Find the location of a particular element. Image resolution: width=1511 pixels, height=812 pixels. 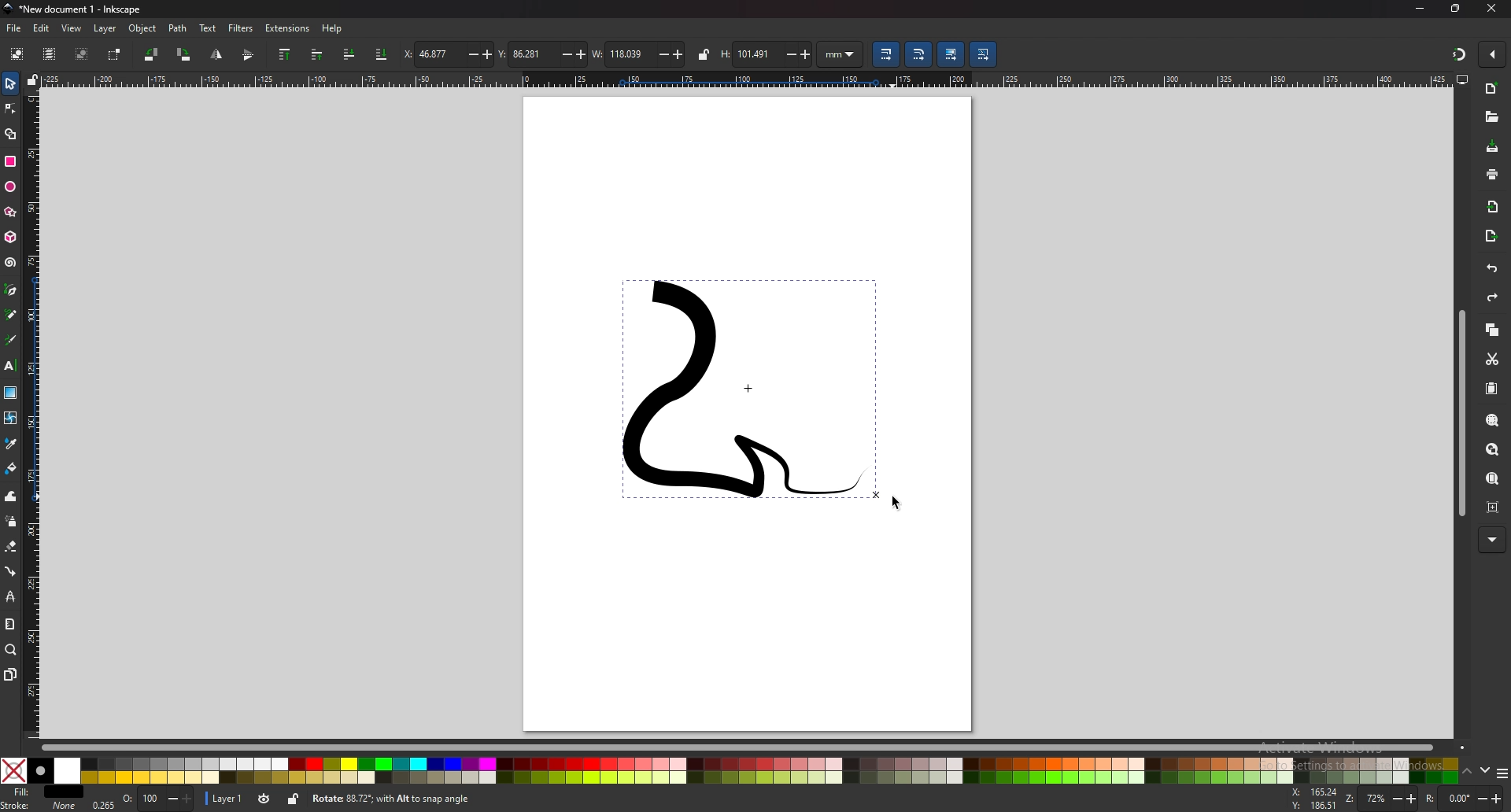

pen is located at coordinates (10, 290).